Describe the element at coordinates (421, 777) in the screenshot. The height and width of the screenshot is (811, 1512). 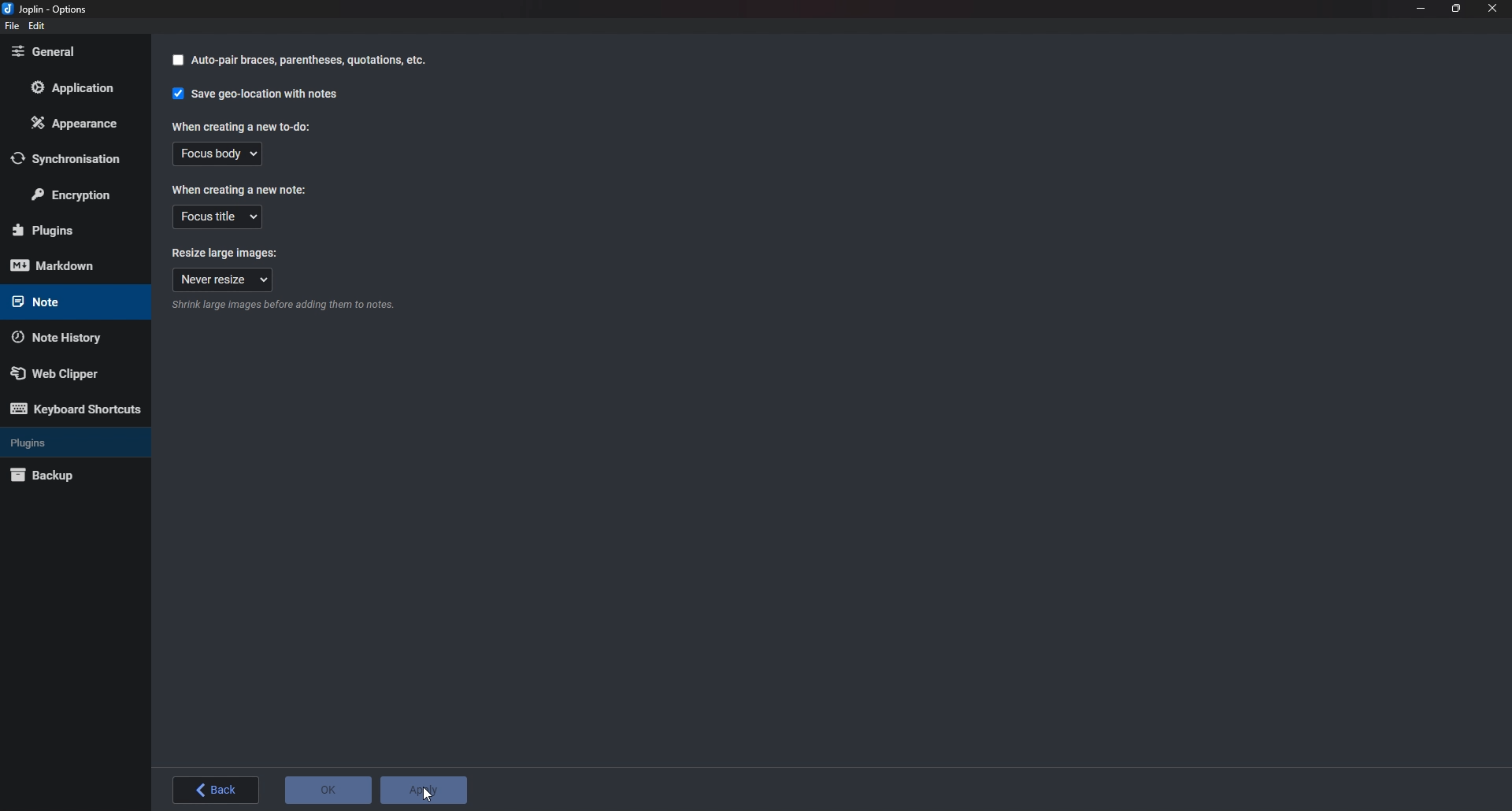
I see `cursor` at that location.